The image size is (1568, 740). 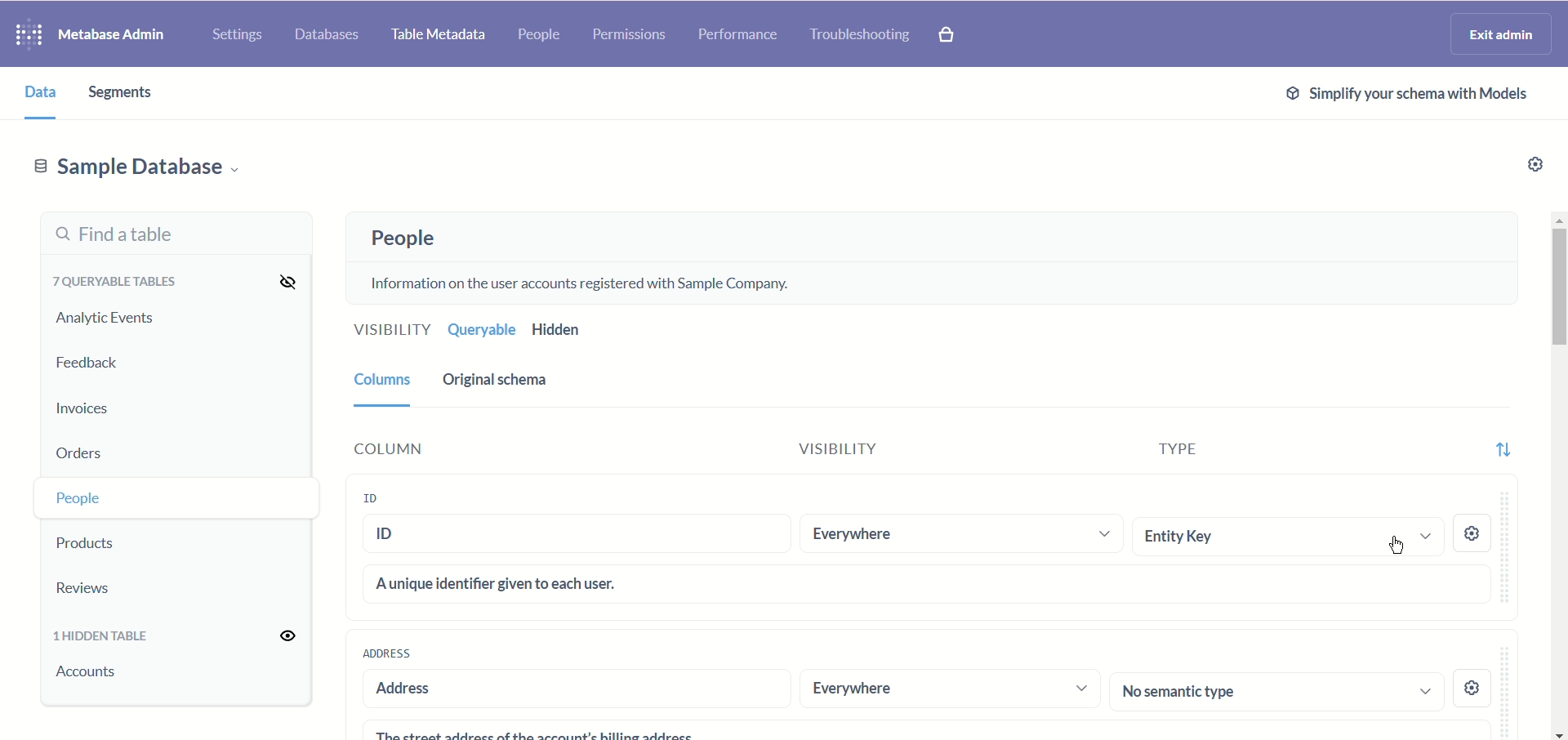 I want to click on No semantic type, so click(x=1277, y=690).